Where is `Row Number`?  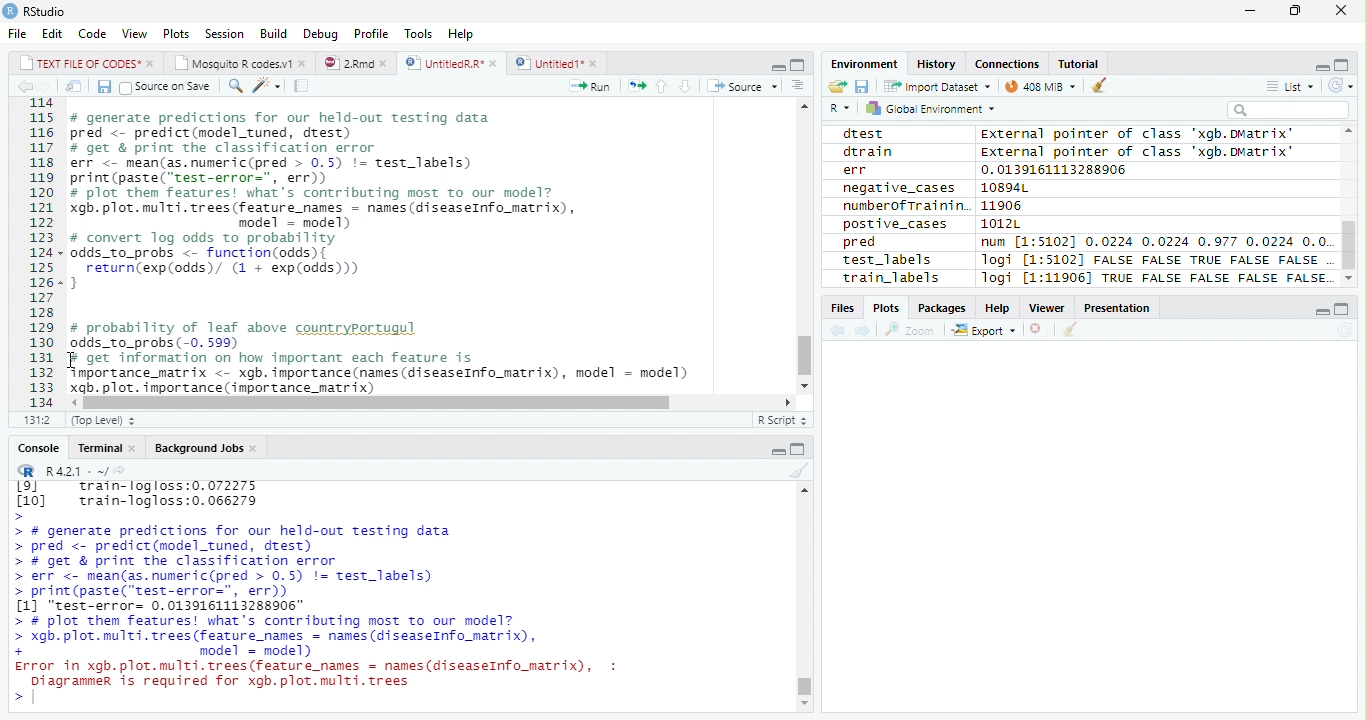
Row Number is located at coordinates (35, 253).